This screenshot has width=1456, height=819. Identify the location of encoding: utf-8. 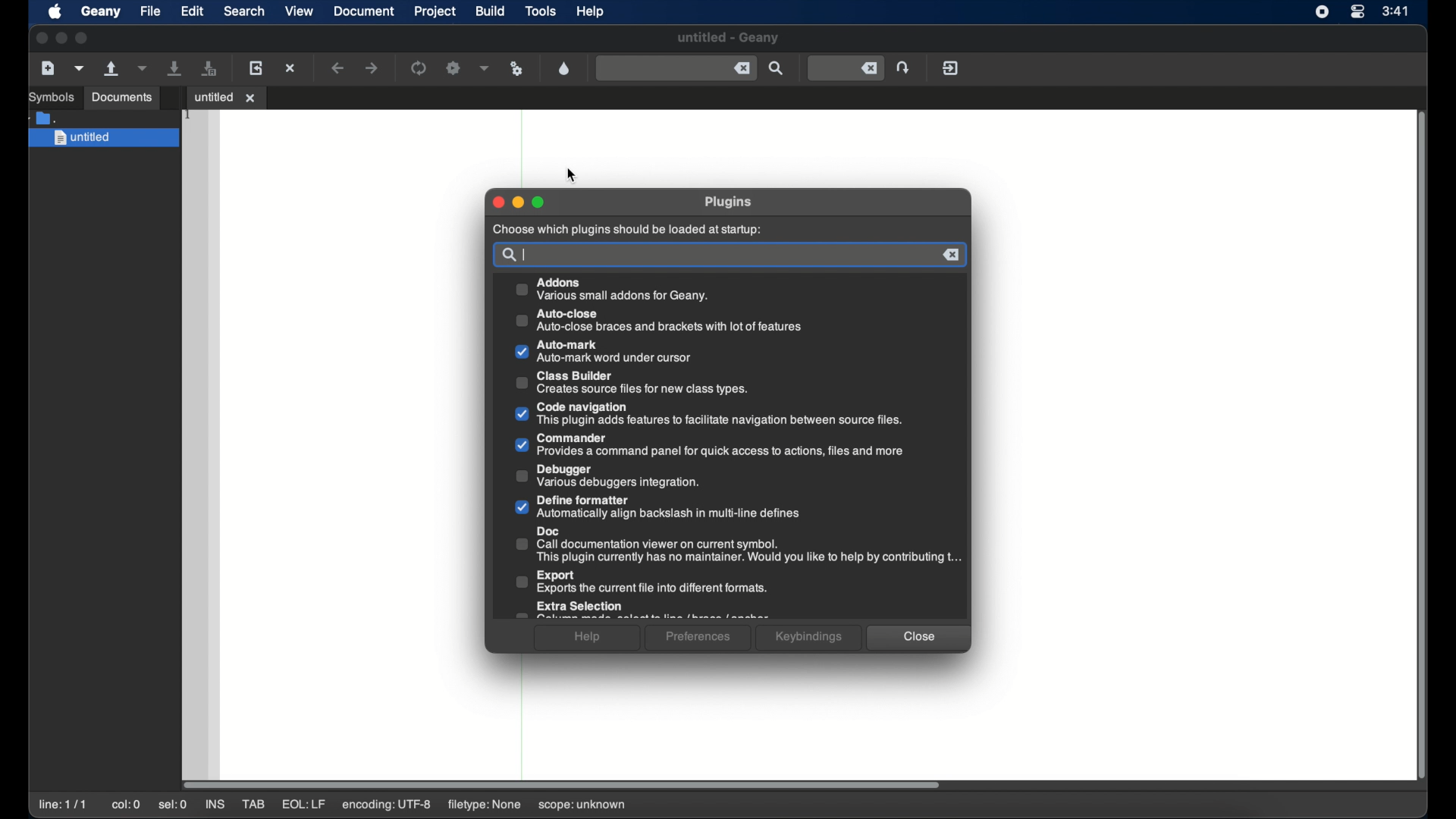
(387, 805).